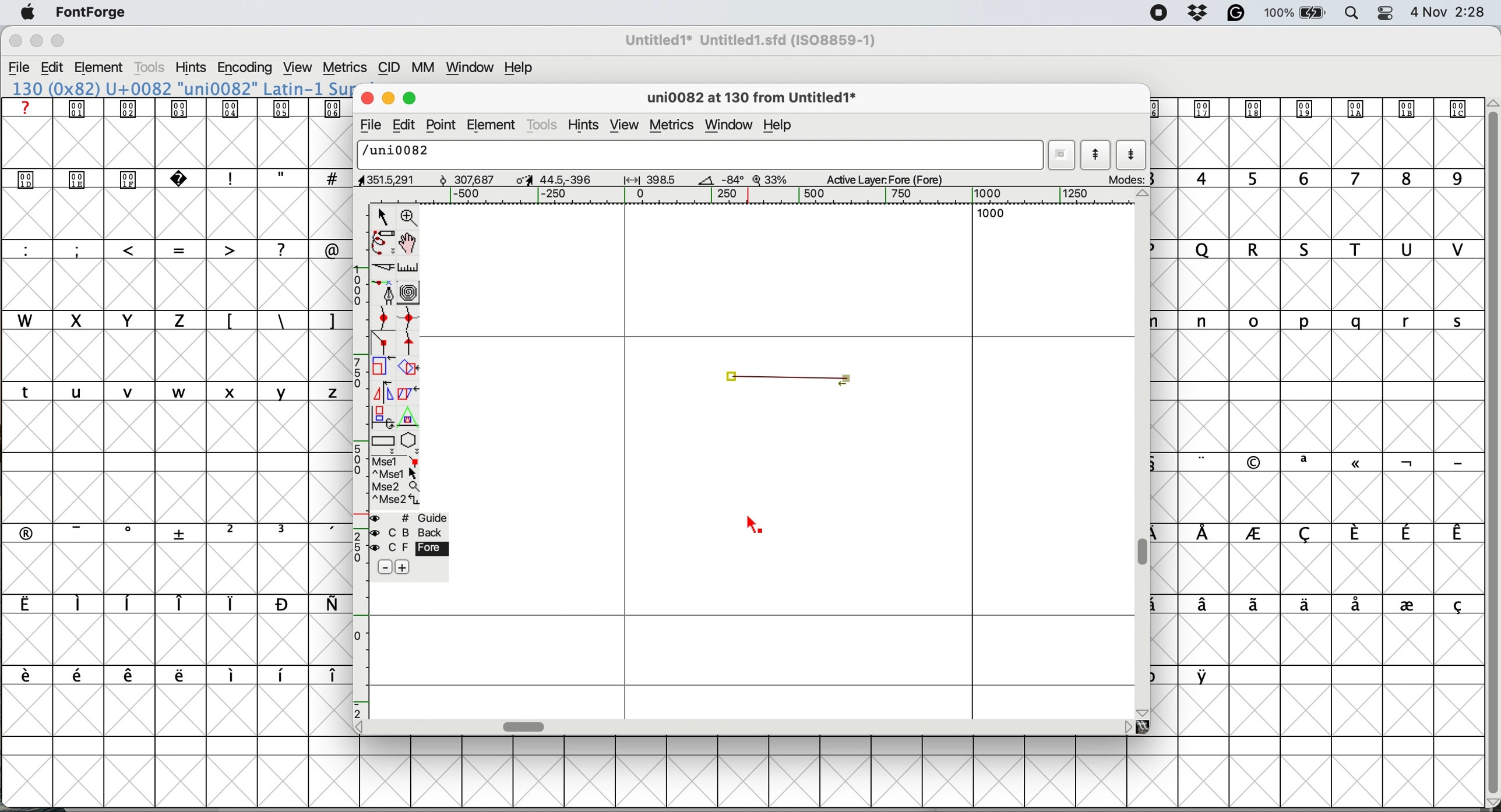  Describe the element at coordinates (409, 369) in the screenshot. I see `rotate the selection` at that location.